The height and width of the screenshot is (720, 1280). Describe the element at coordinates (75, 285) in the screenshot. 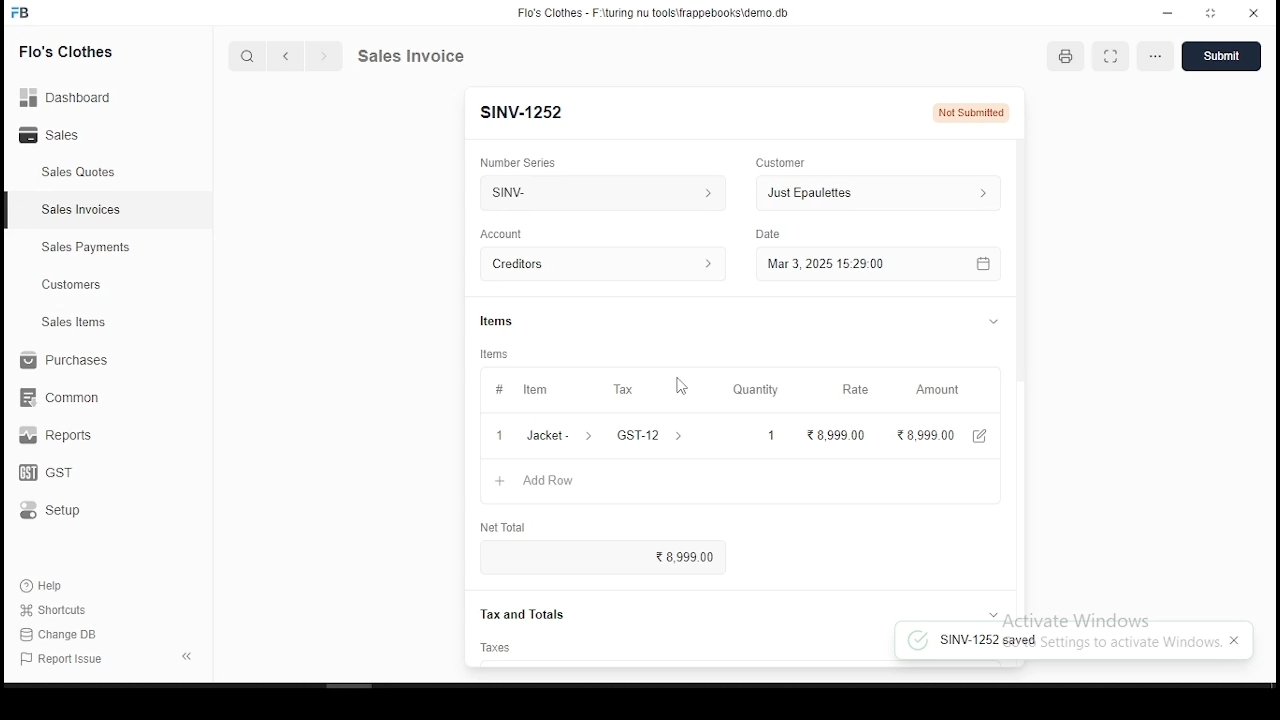

I see `customers` at that location.